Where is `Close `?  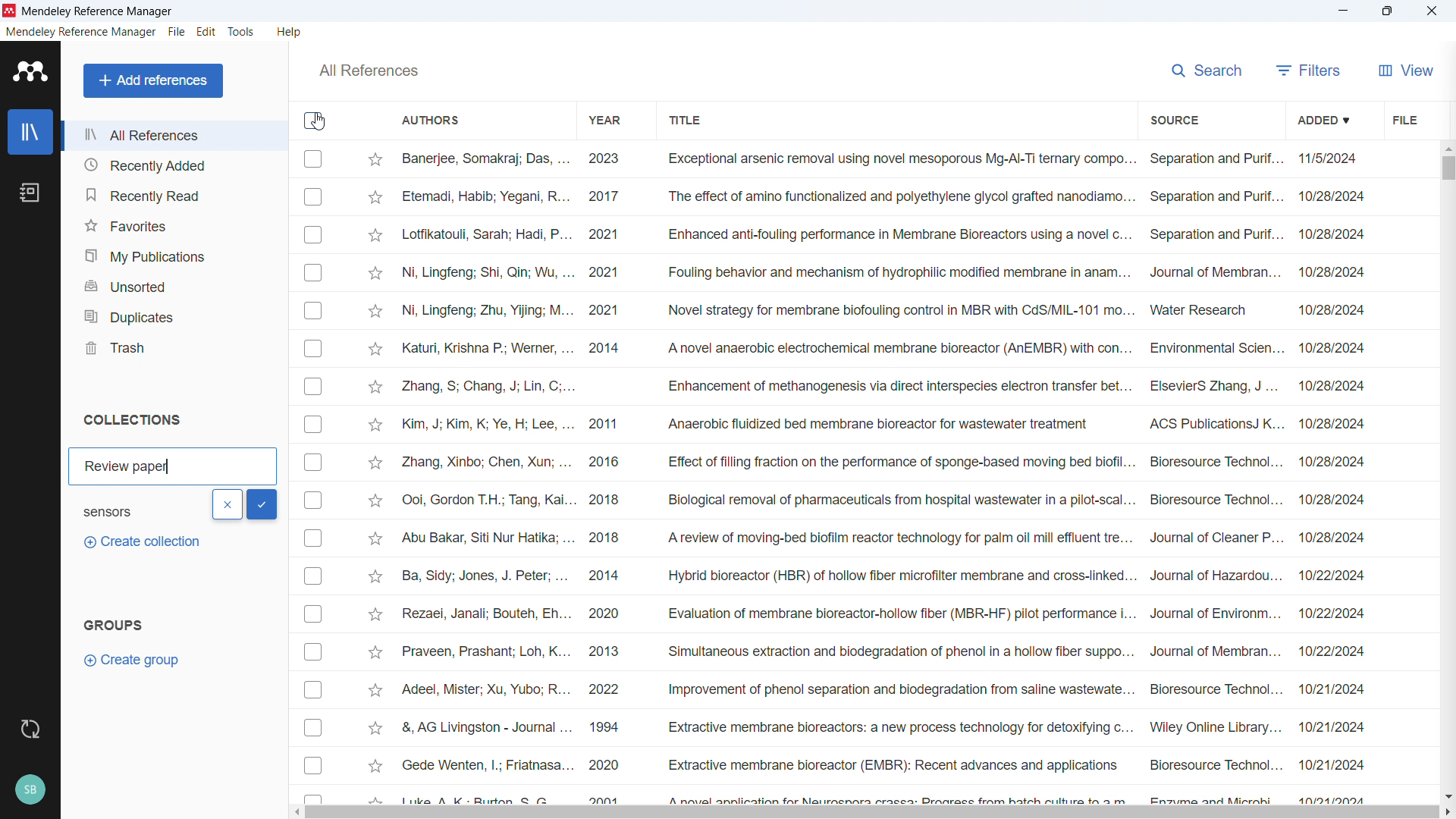
Close  is located at coordinates (1432, 11).